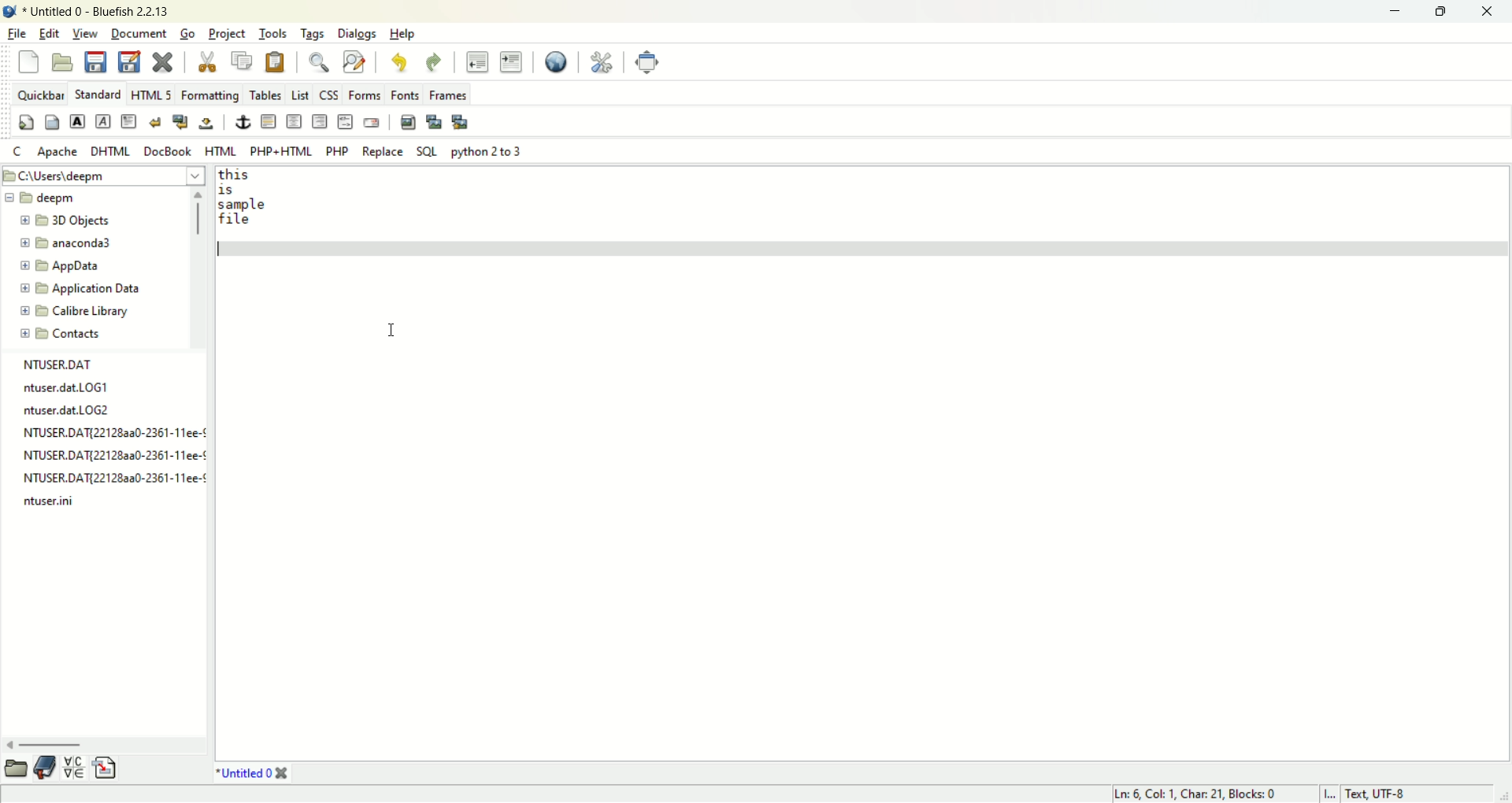  I want to click on quickstart, so click(24, 123).